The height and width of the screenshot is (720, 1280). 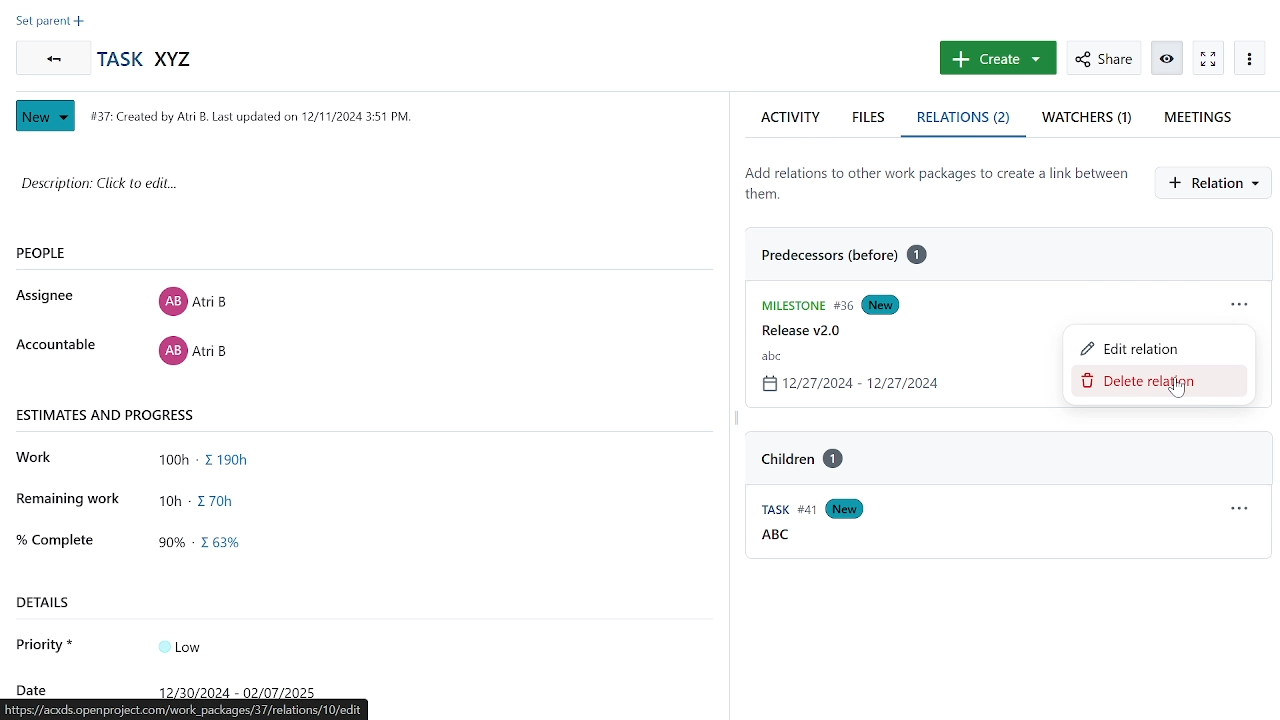 I want to click on task date 12/27/2024-12/27/2024, so click(x=854, y=386).